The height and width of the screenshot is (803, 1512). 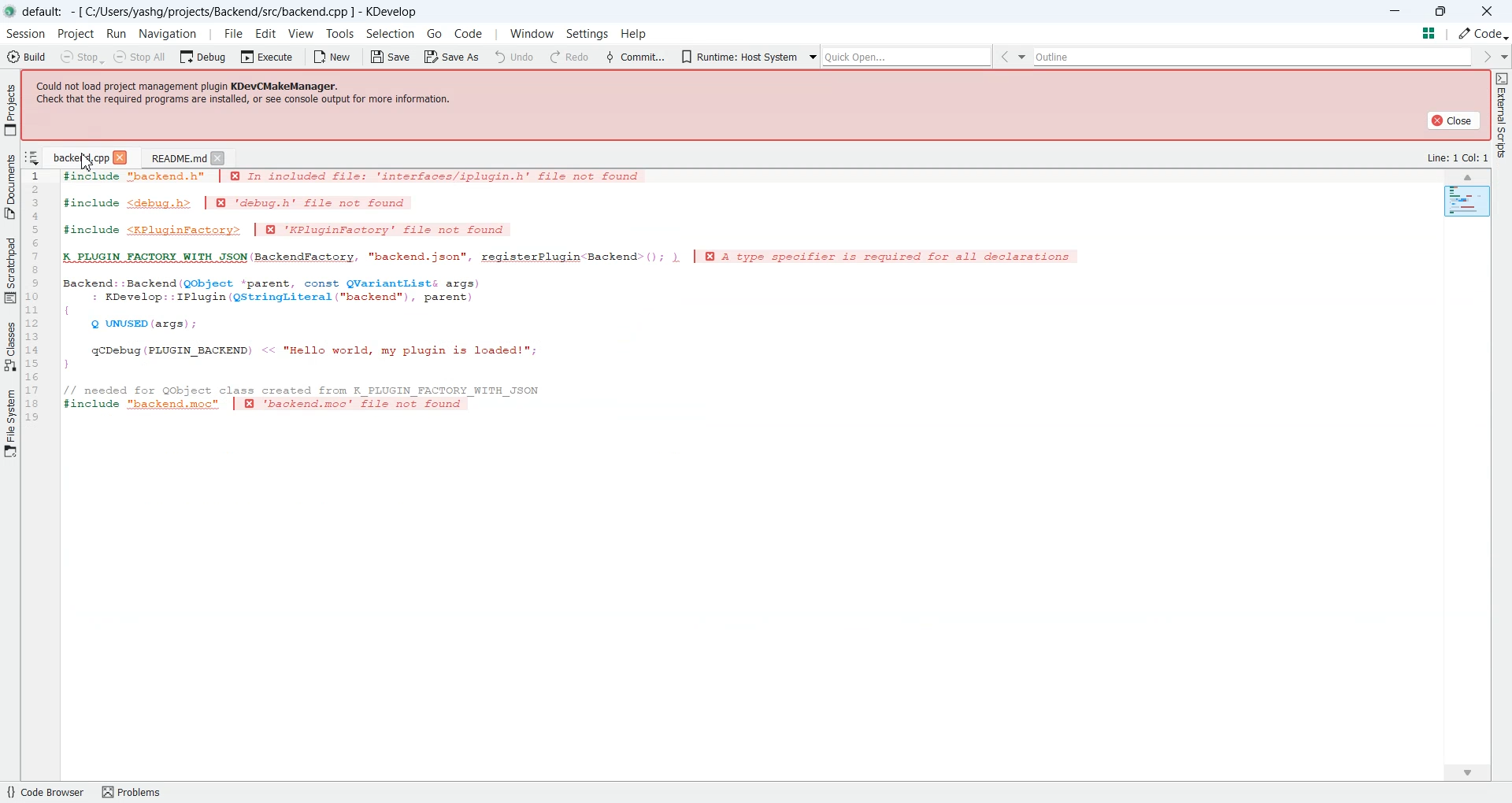 What do you see at coordinates (770, 57) in the screenshot?
I see `Go back` at bounding box center [770, 57].